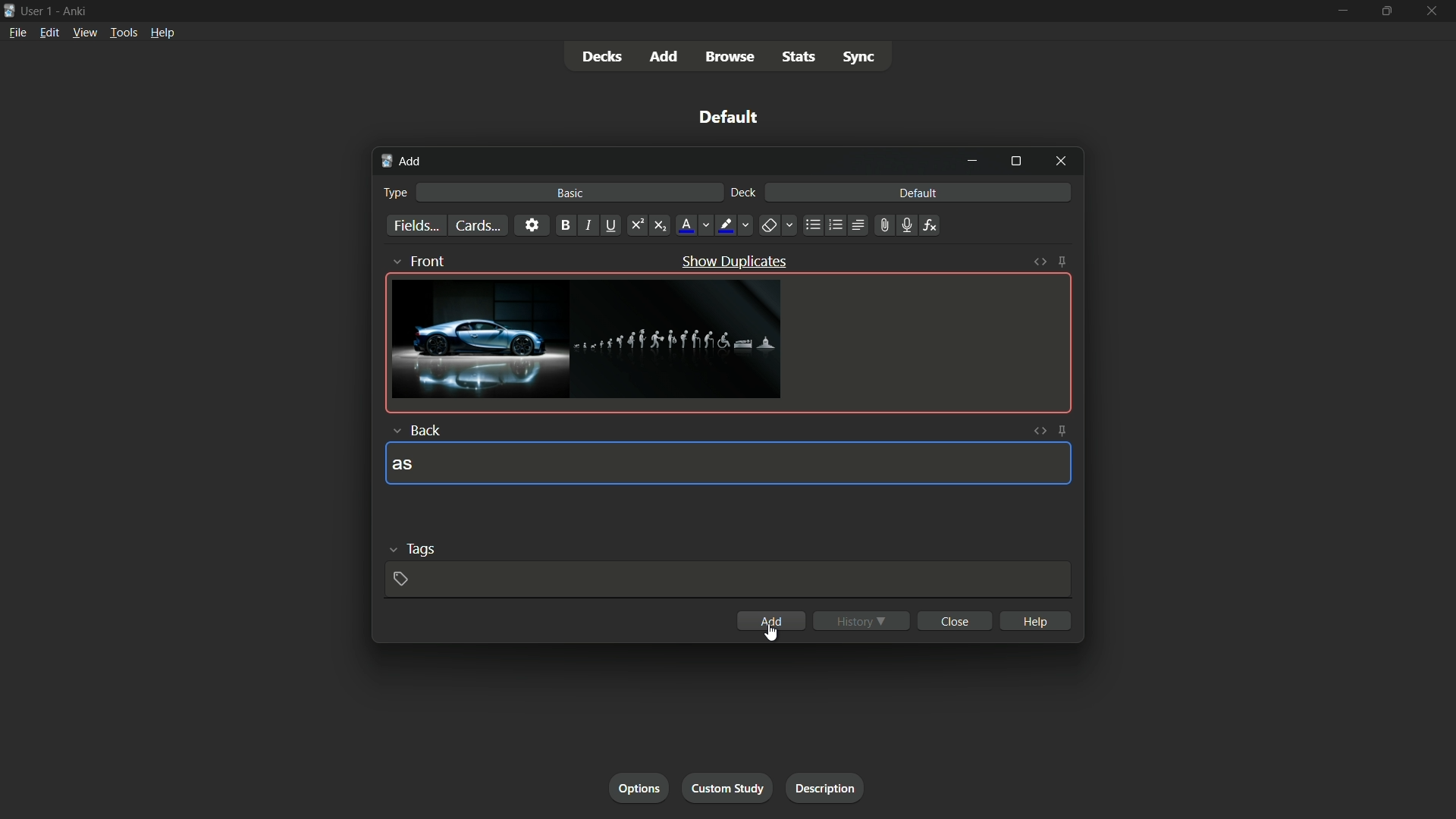 This screenshot has height=819, width=1456. I want to click on edit menu, so click(52, 32).